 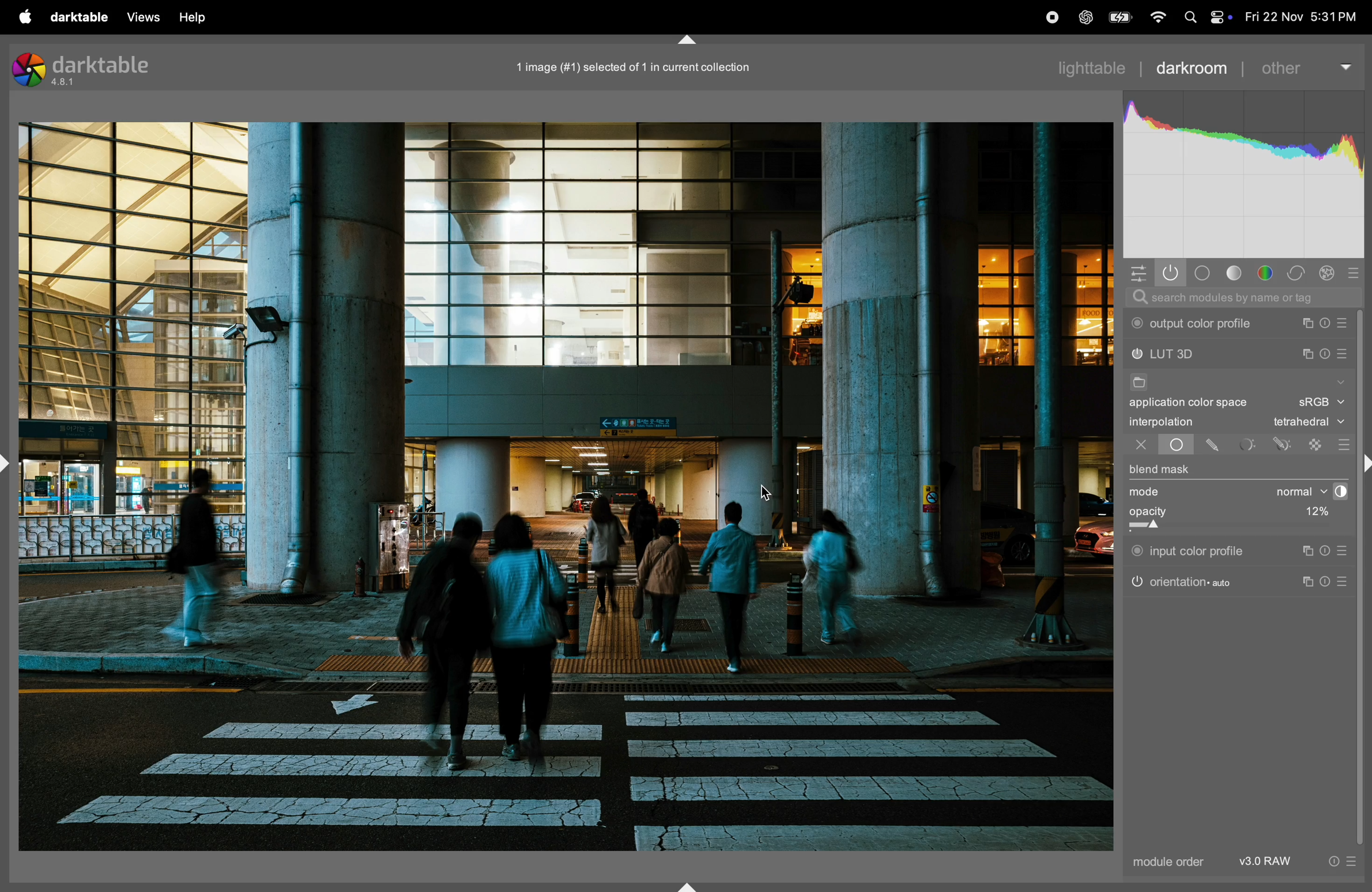 What do you see at coordinates (18, 16) in the screenshot?
I see `apple menu` at bounding box center [18, 16].